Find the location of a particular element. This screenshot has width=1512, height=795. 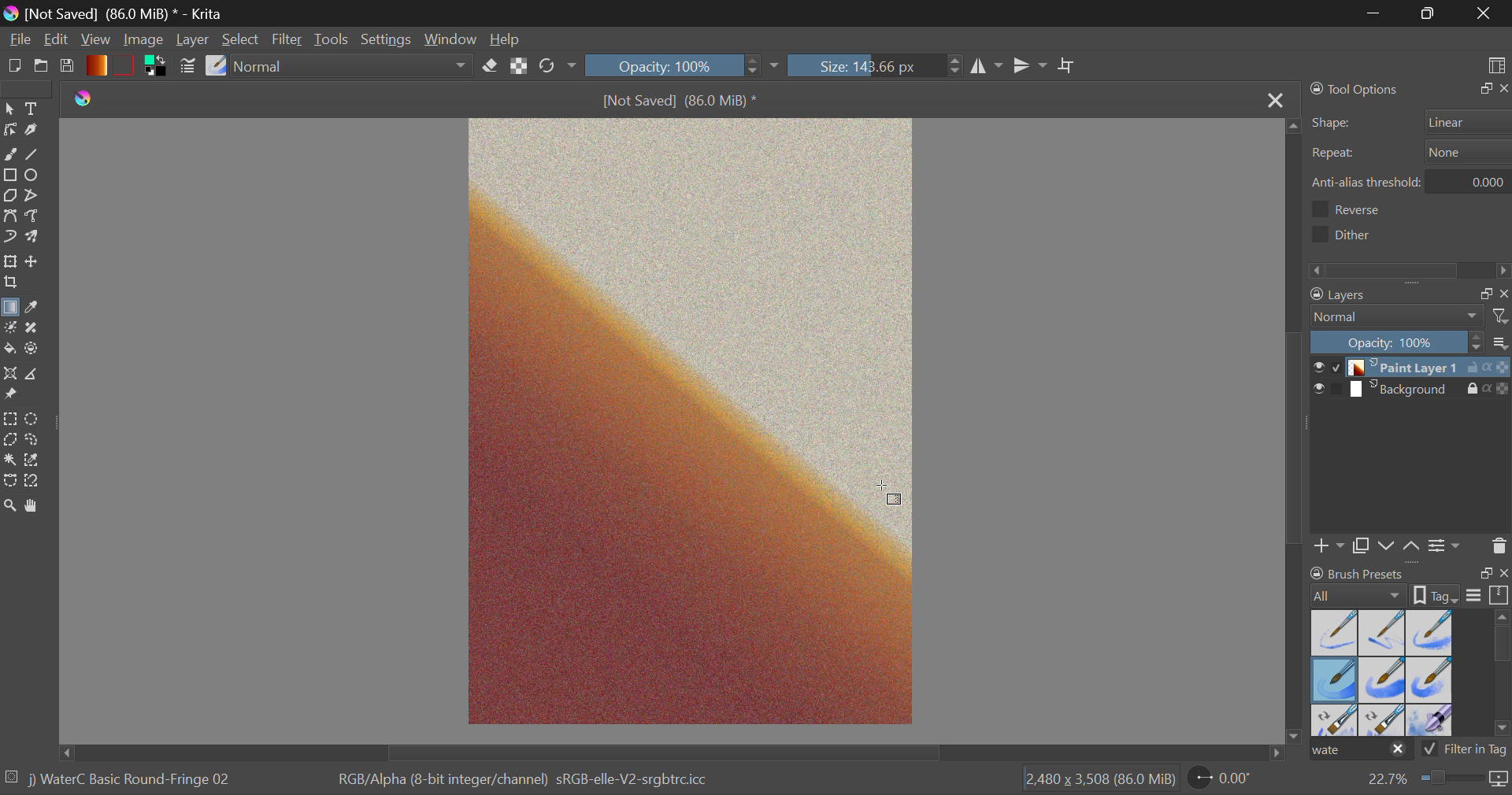

Polygon Selection is located at coordinates (10, 442).